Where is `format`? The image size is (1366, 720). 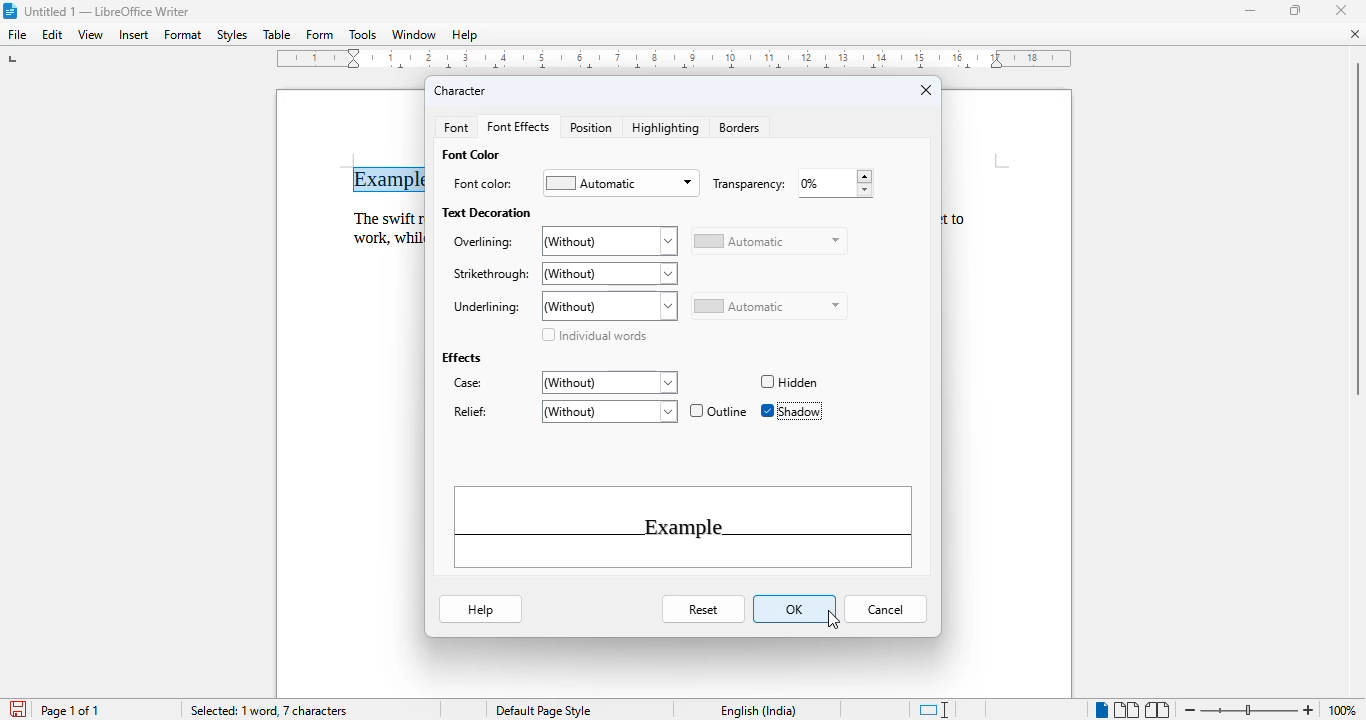 format is located at coordinates (184, 34).